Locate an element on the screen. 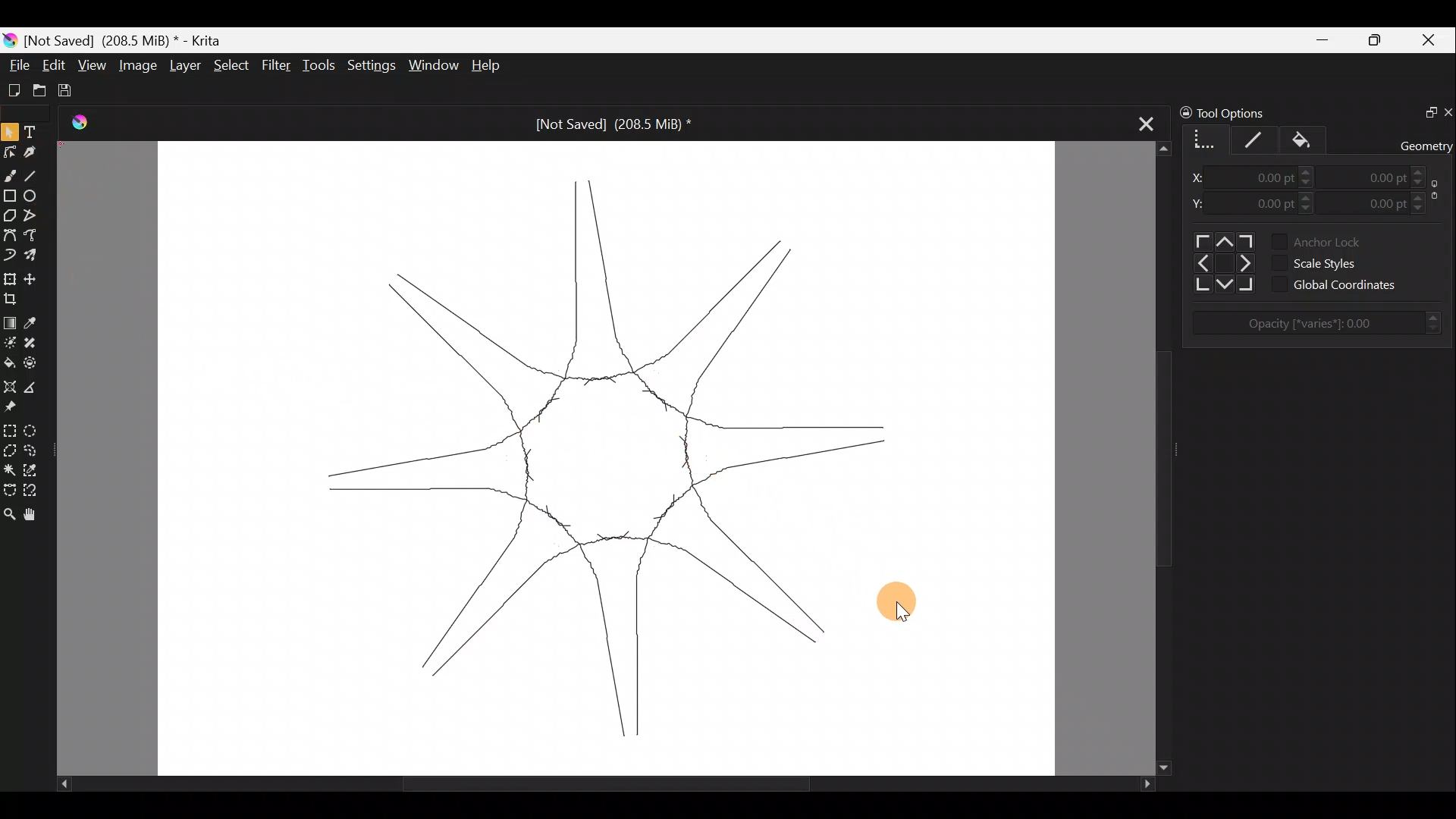  Zoom tool is located at coordinates (9, 516).